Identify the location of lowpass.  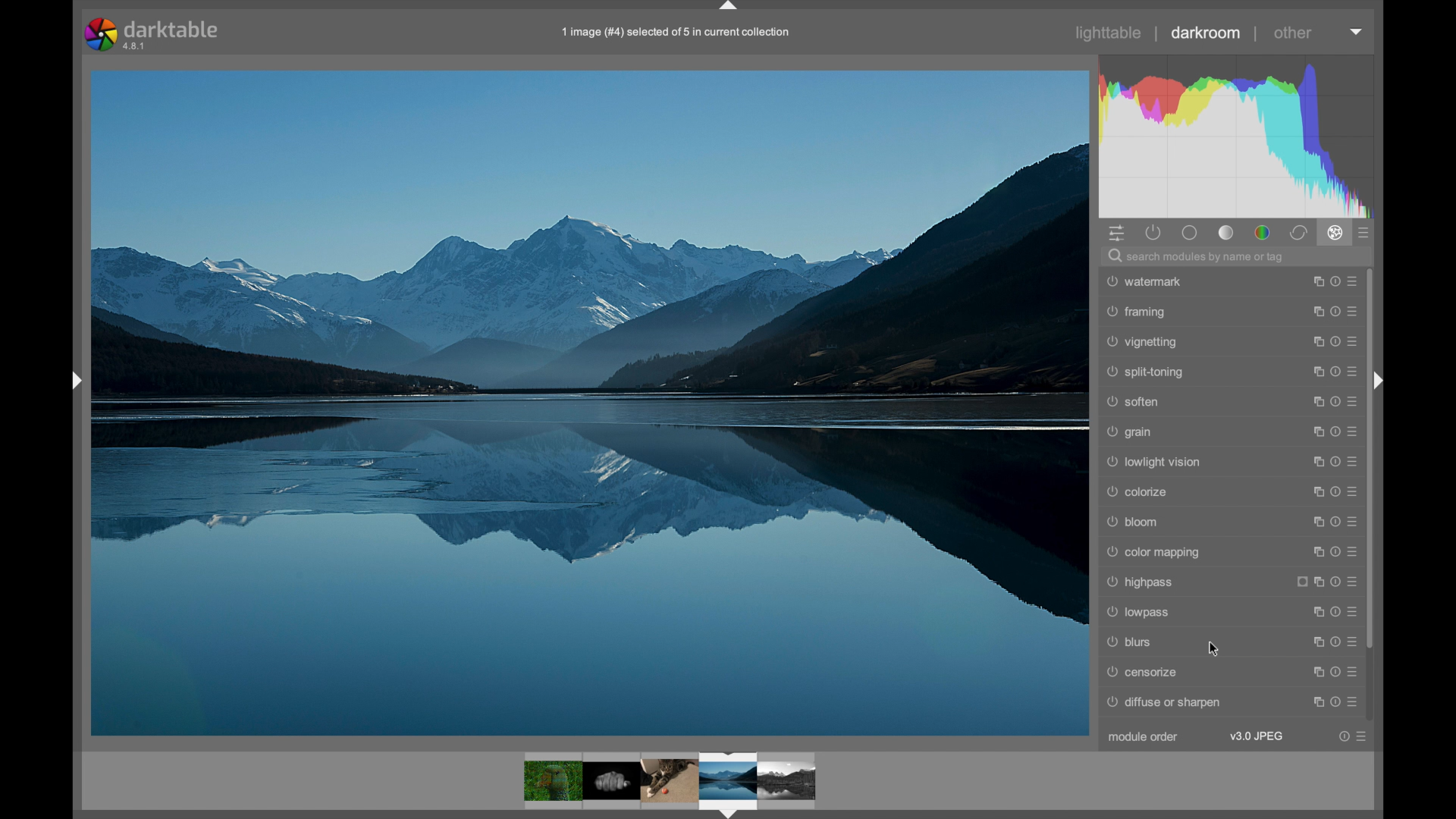
(1139, 613).